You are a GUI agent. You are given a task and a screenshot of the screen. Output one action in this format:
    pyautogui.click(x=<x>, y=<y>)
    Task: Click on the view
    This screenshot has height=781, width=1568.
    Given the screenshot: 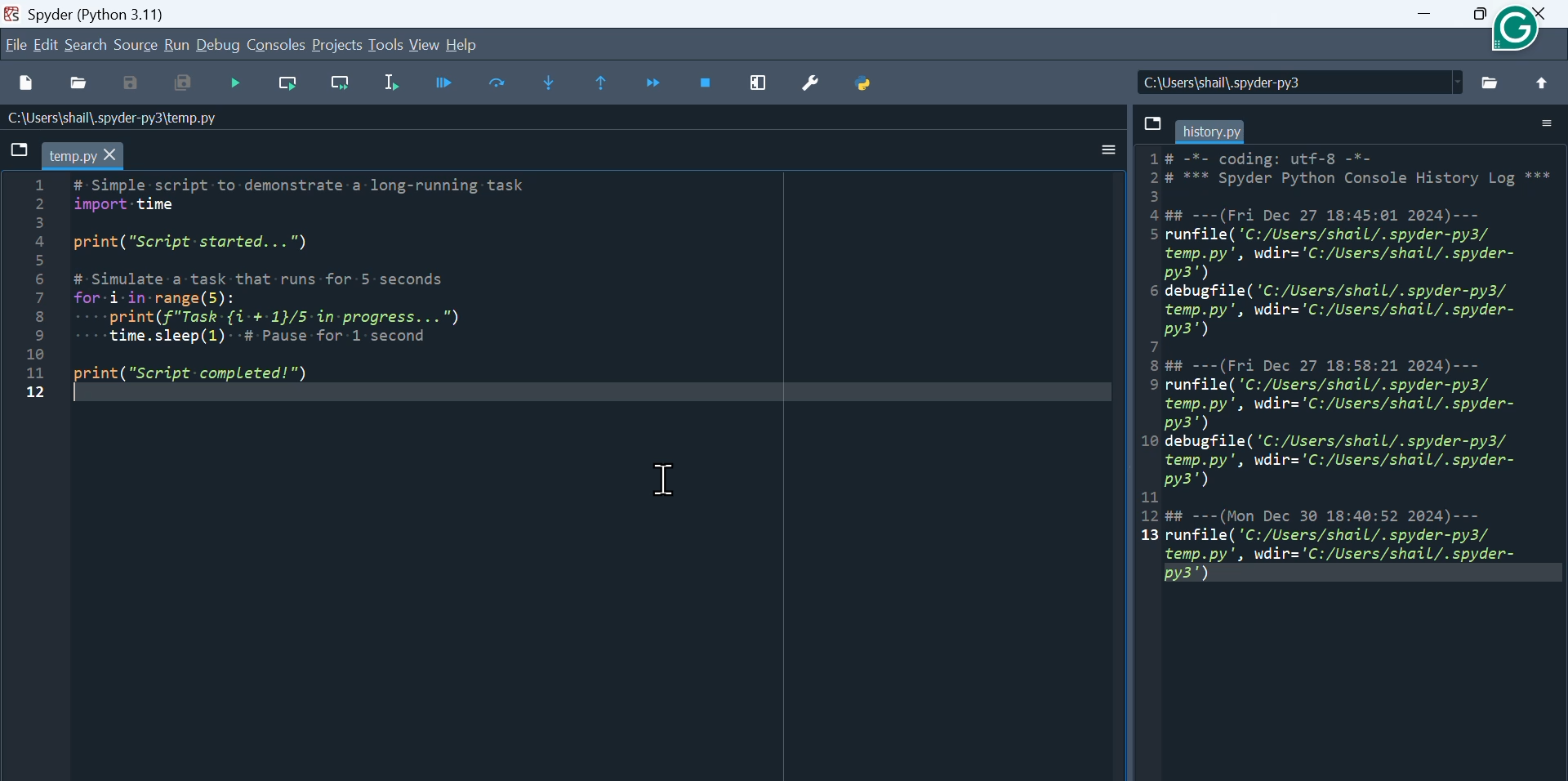 What is the action you would take?
    pyautogui.click(x=425, y=47)
    